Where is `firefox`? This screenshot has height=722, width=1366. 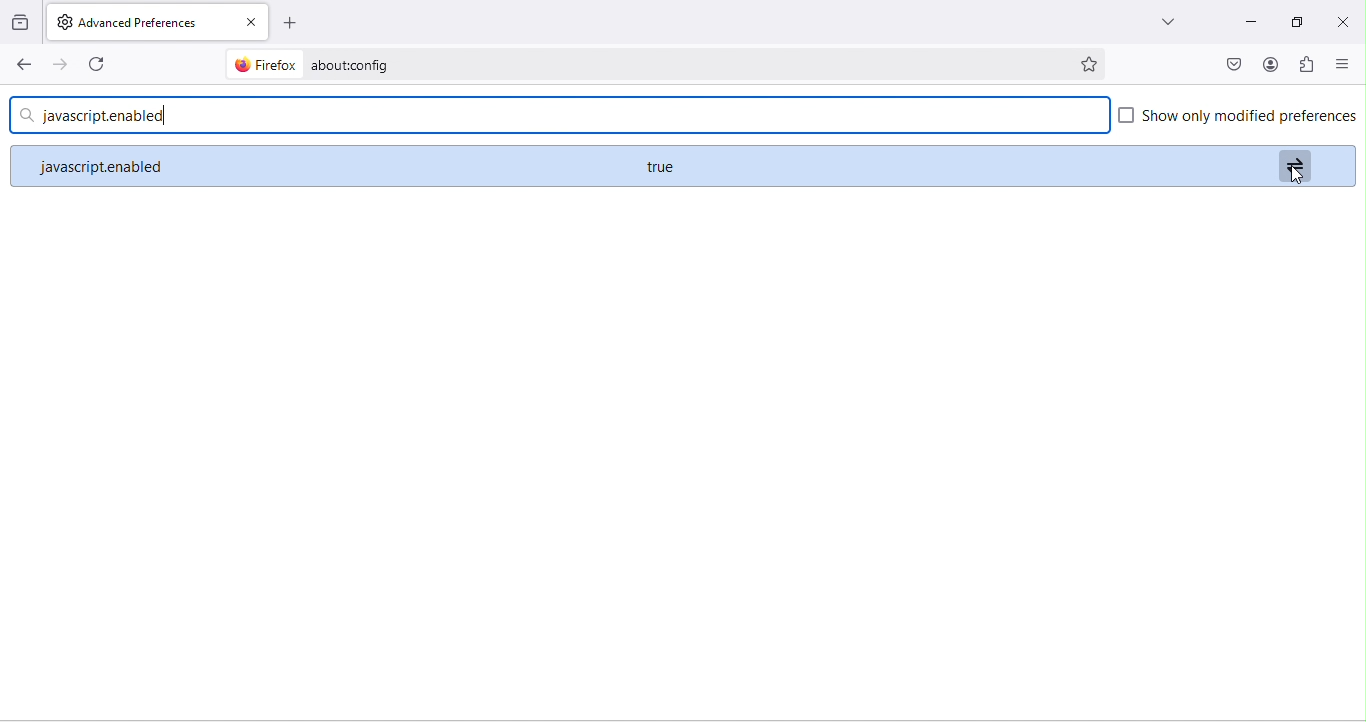 firefox is located at coordinates (267, 64).